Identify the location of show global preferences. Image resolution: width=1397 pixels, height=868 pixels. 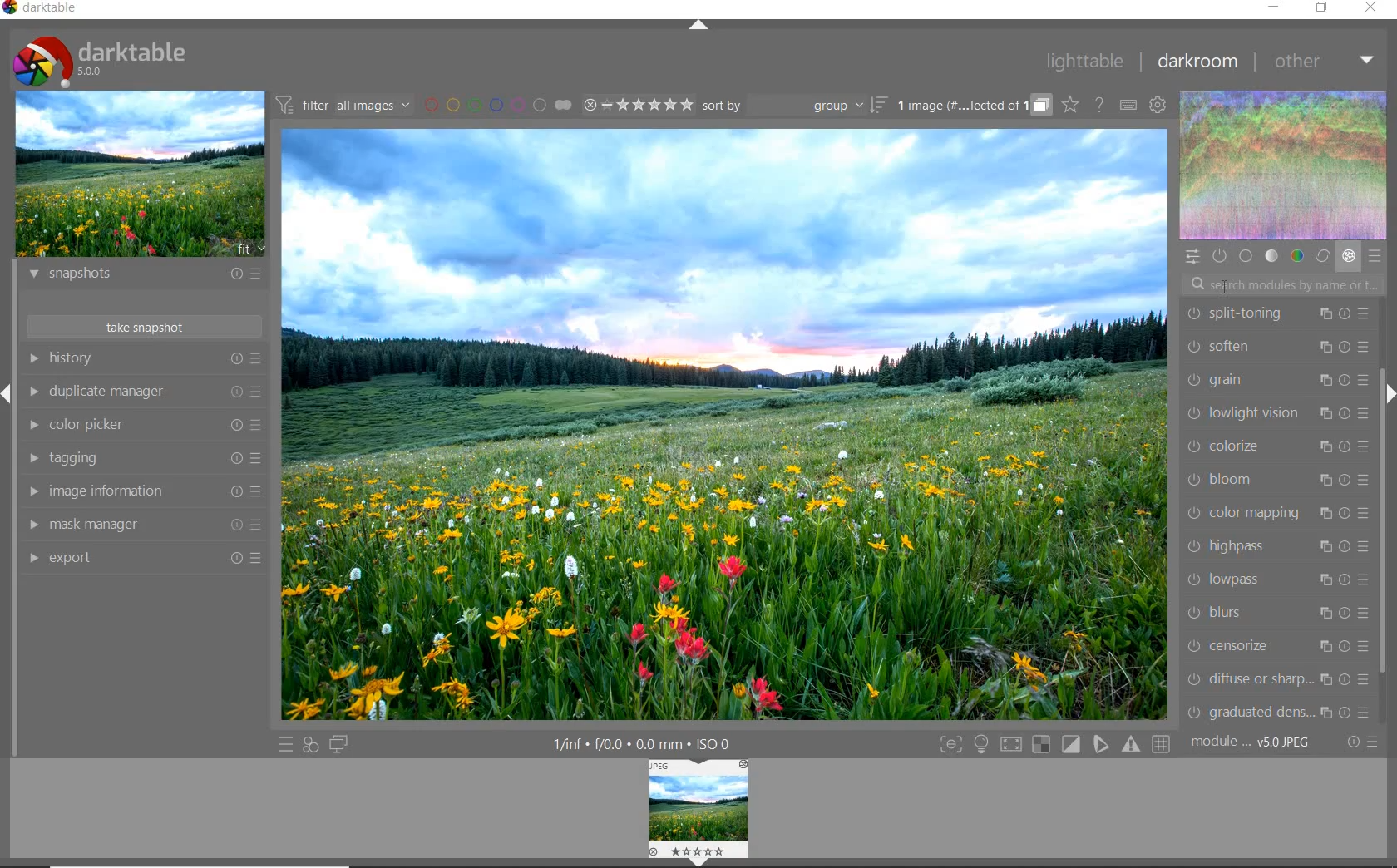
(1156, 105).